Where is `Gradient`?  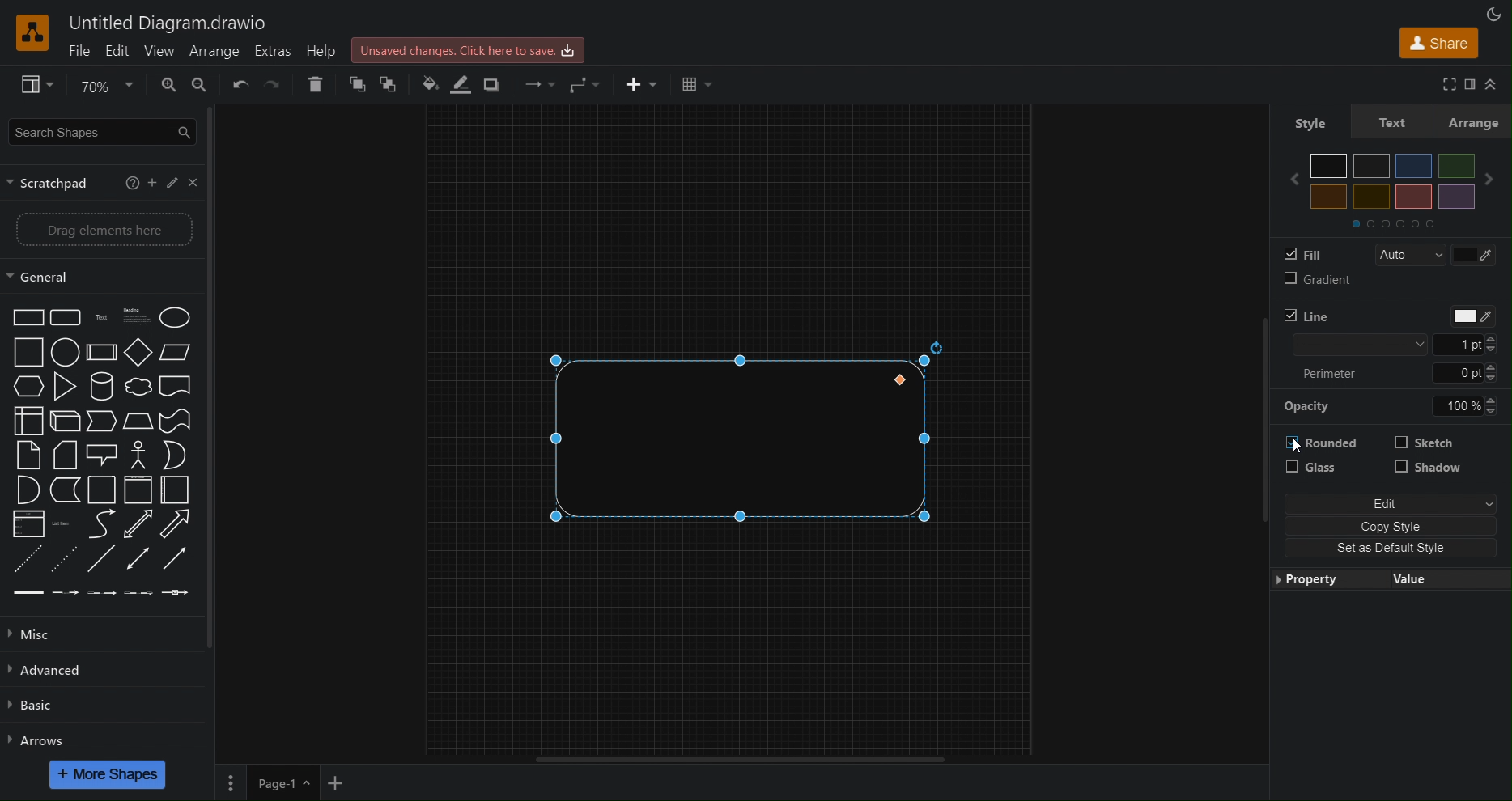
Gradient is located at coordinates (1314, 283).